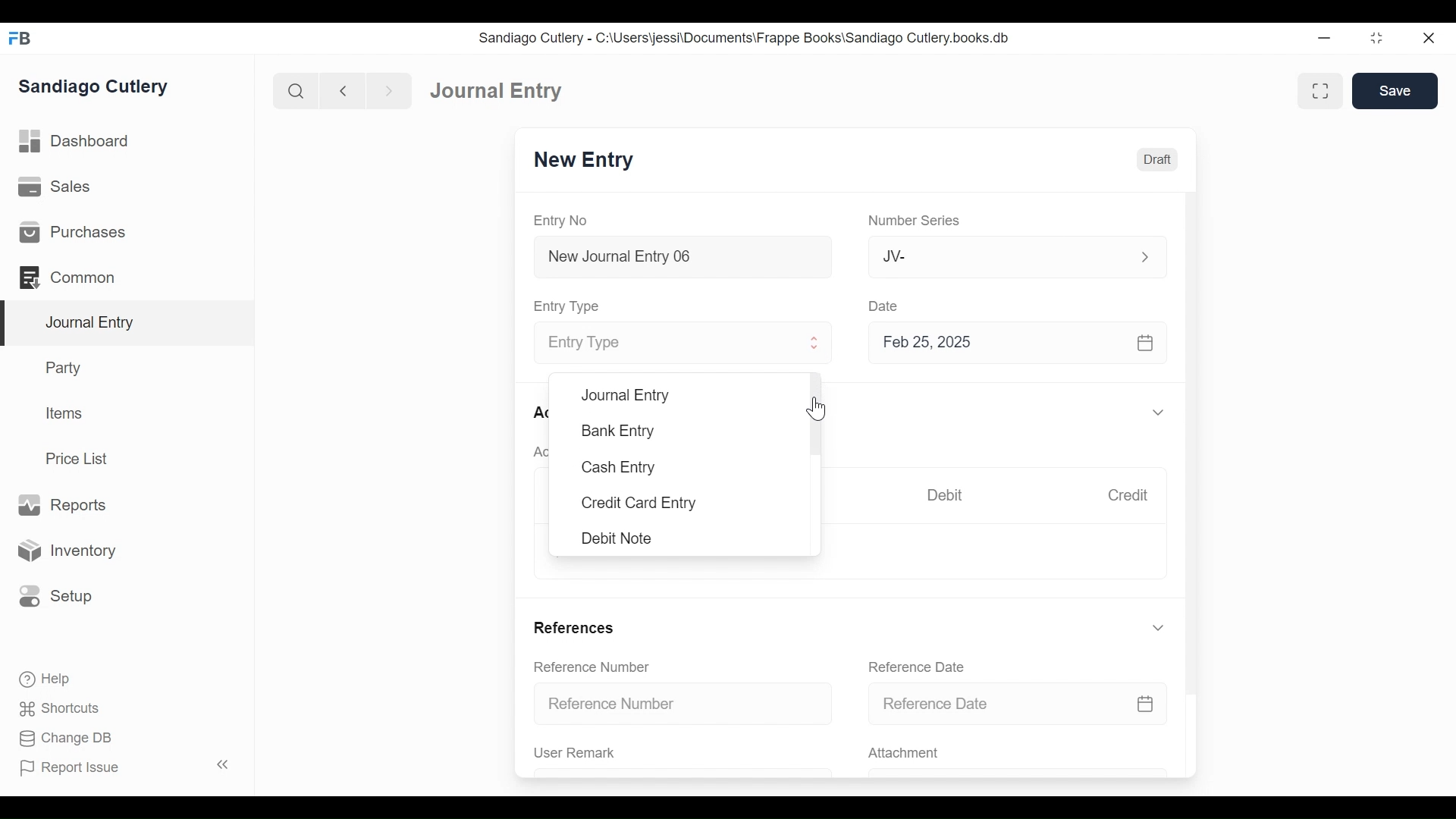  Describe the element at coordinates (64, 708) in the screenshot. I see `Shortcuts` at that location.